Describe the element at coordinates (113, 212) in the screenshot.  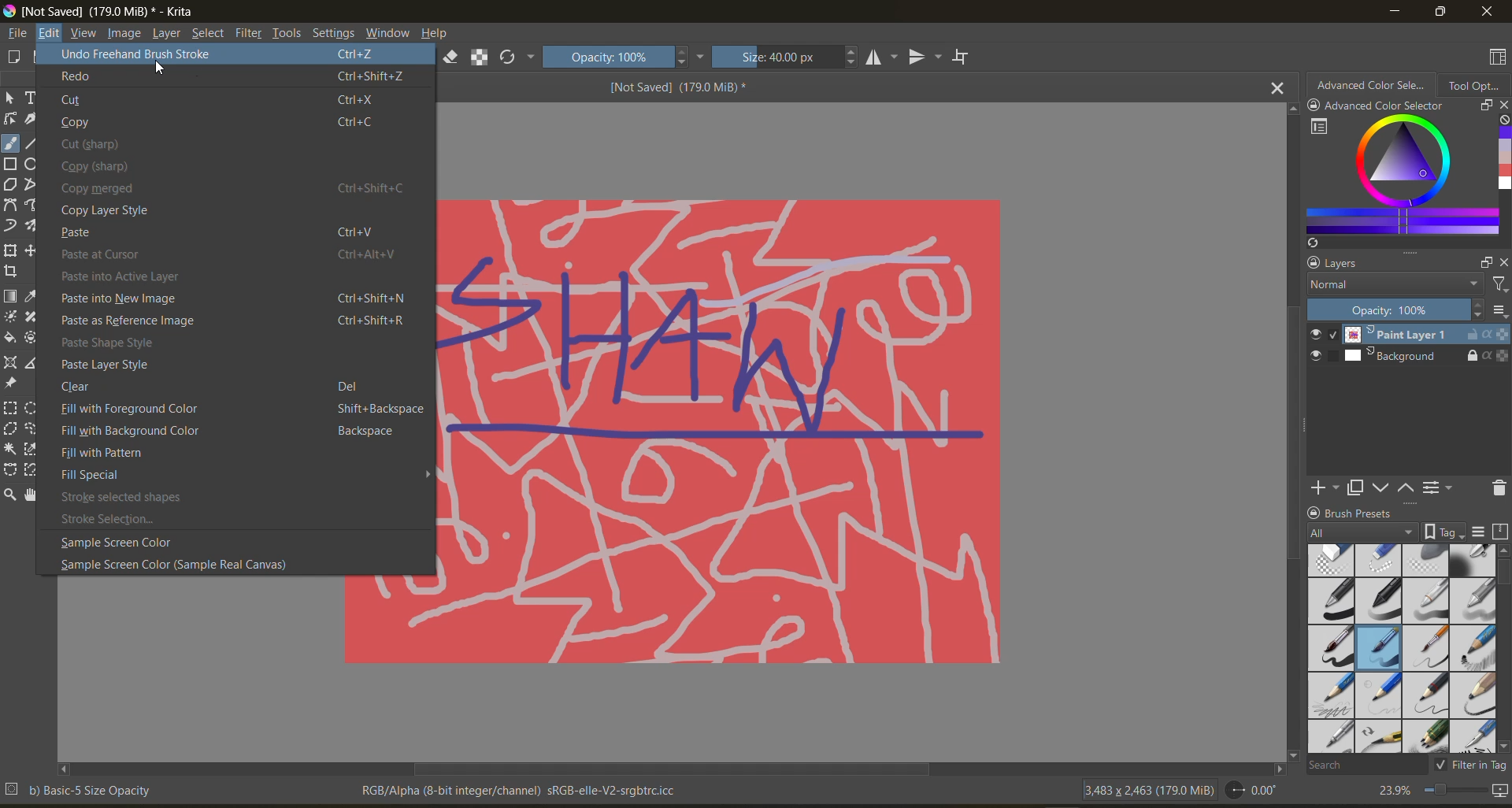
I see `copy layer style` at that location.